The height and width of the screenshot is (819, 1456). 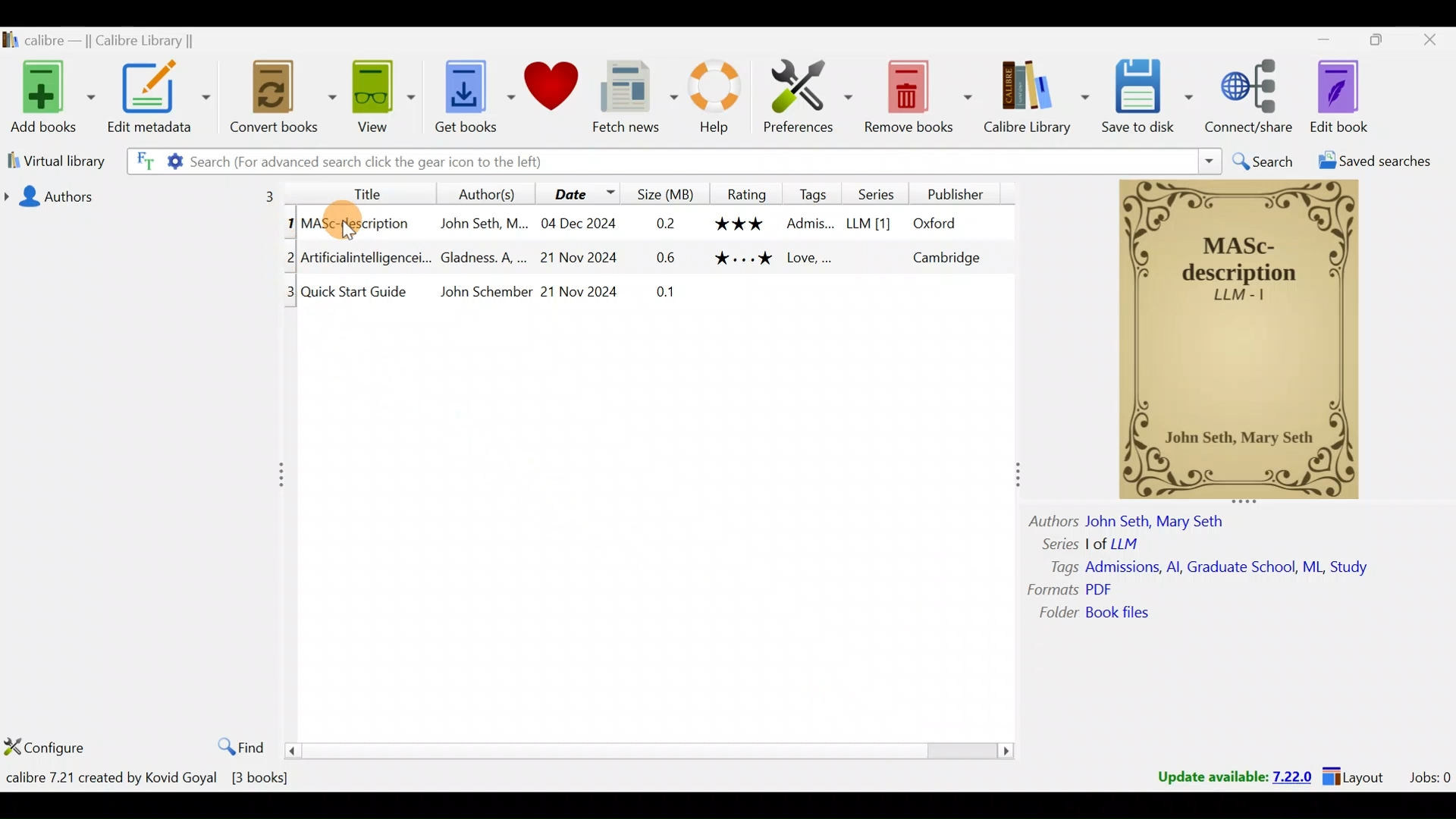 I want to click on Date, so click(x=580, y=192).